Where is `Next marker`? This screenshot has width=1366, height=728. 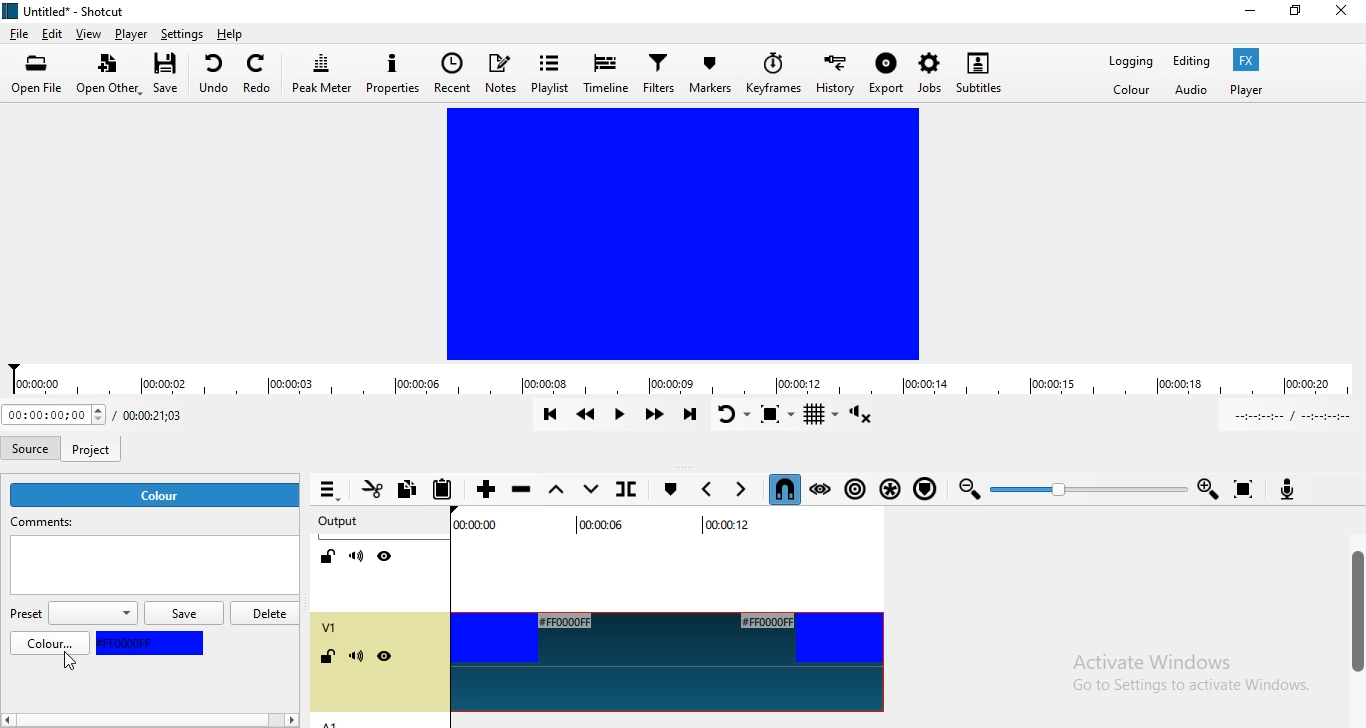 Next marker is located at coordinates (742, 488).